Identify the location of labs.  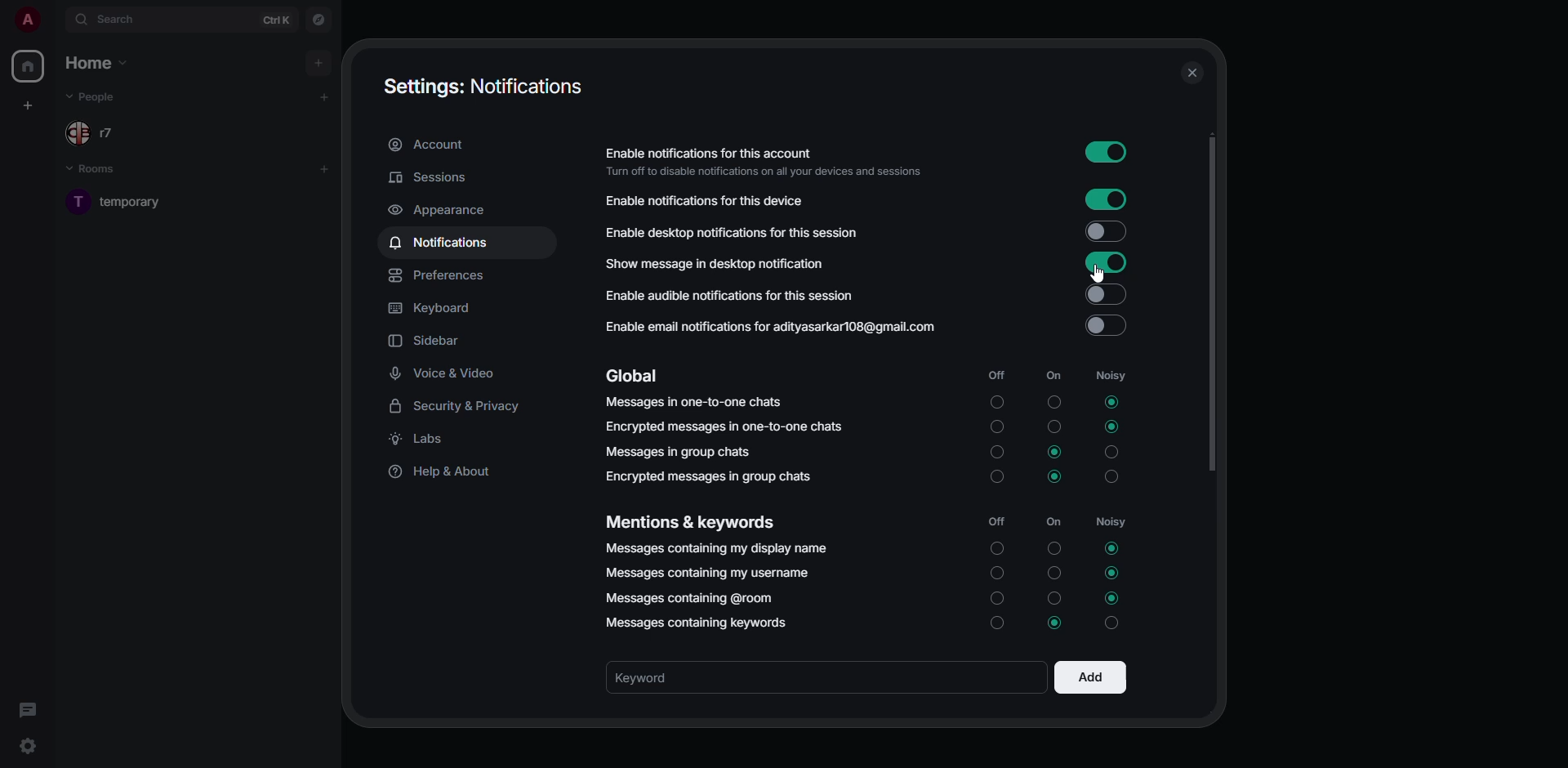
(426, 437).